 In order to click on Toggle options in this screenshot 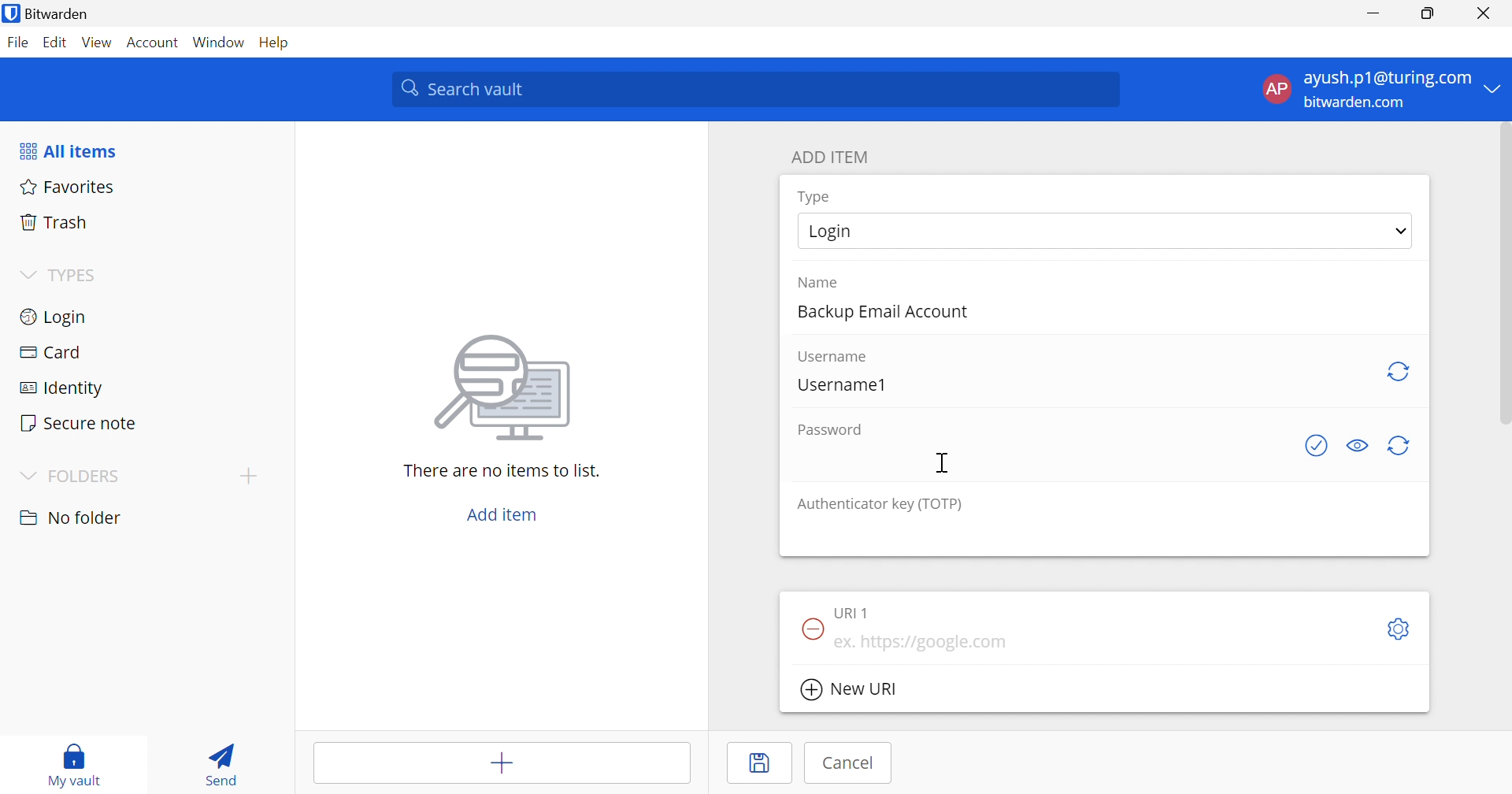, I will do `click(1401, 630)`.